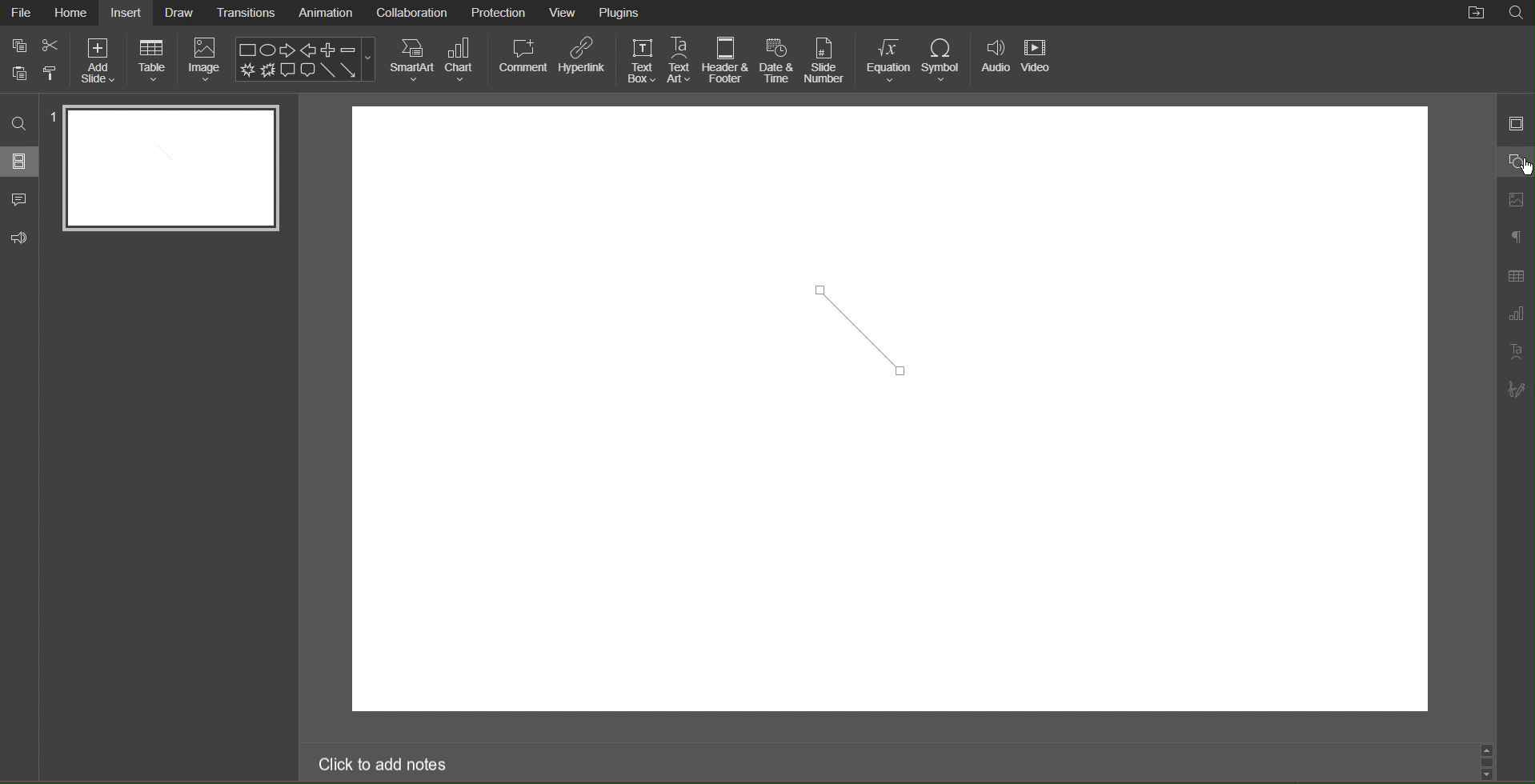  What do you see at coordinates (244, 12) in the screenshot?
I see `Transitions` at bounding box center [244, 12].